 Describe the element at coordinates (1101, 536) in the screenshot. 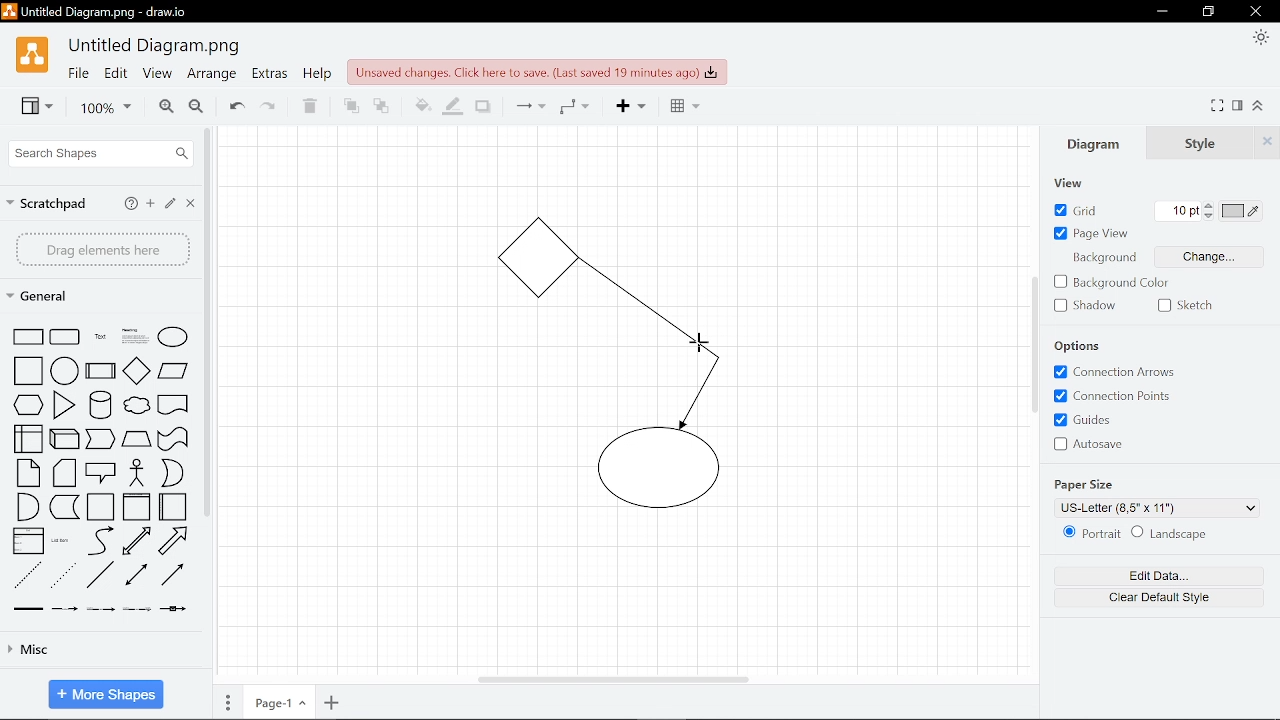

I see `Potrait` at that location.